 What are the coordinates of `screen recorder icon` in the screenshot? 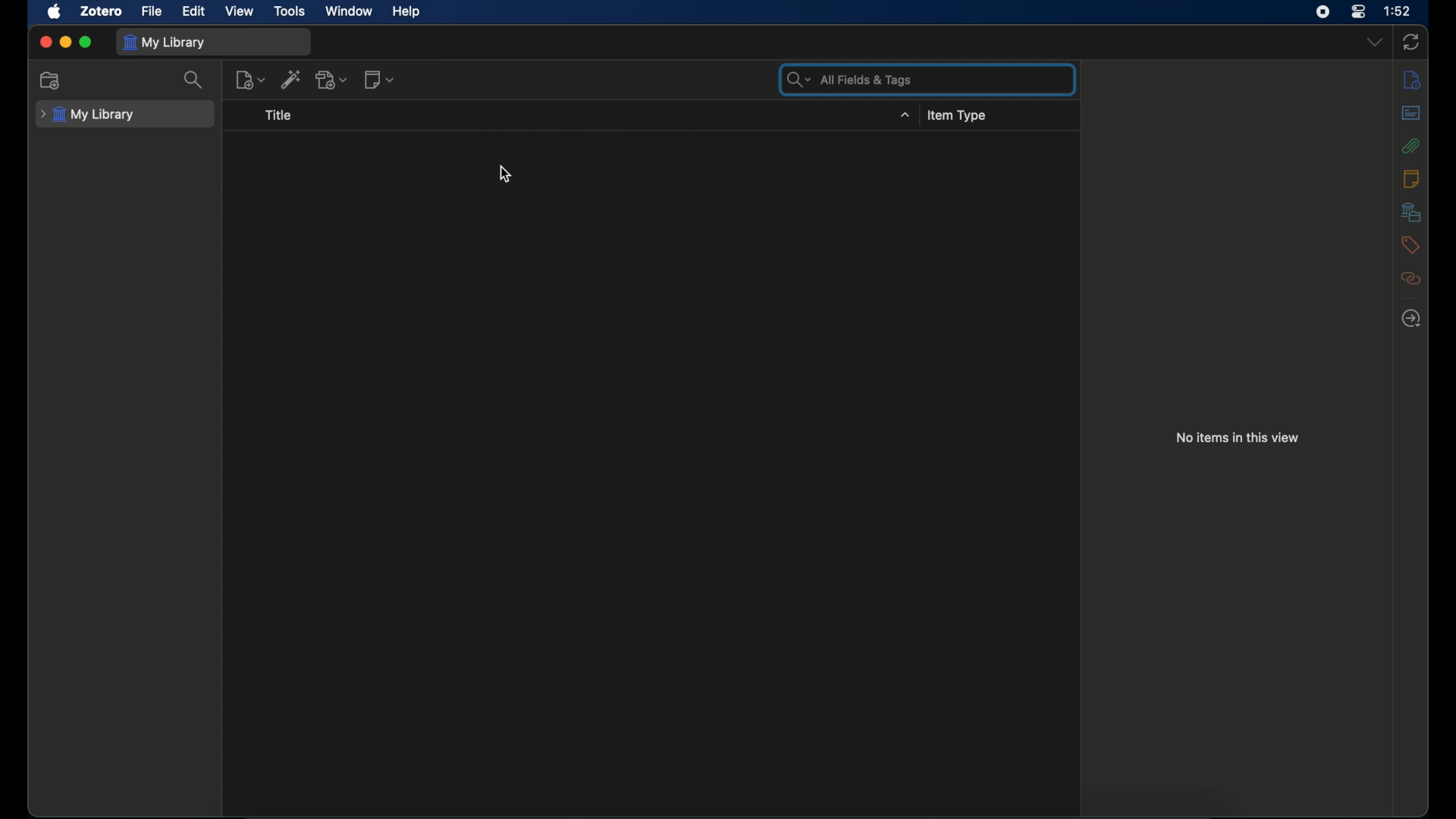 It's located at (1321, 12).